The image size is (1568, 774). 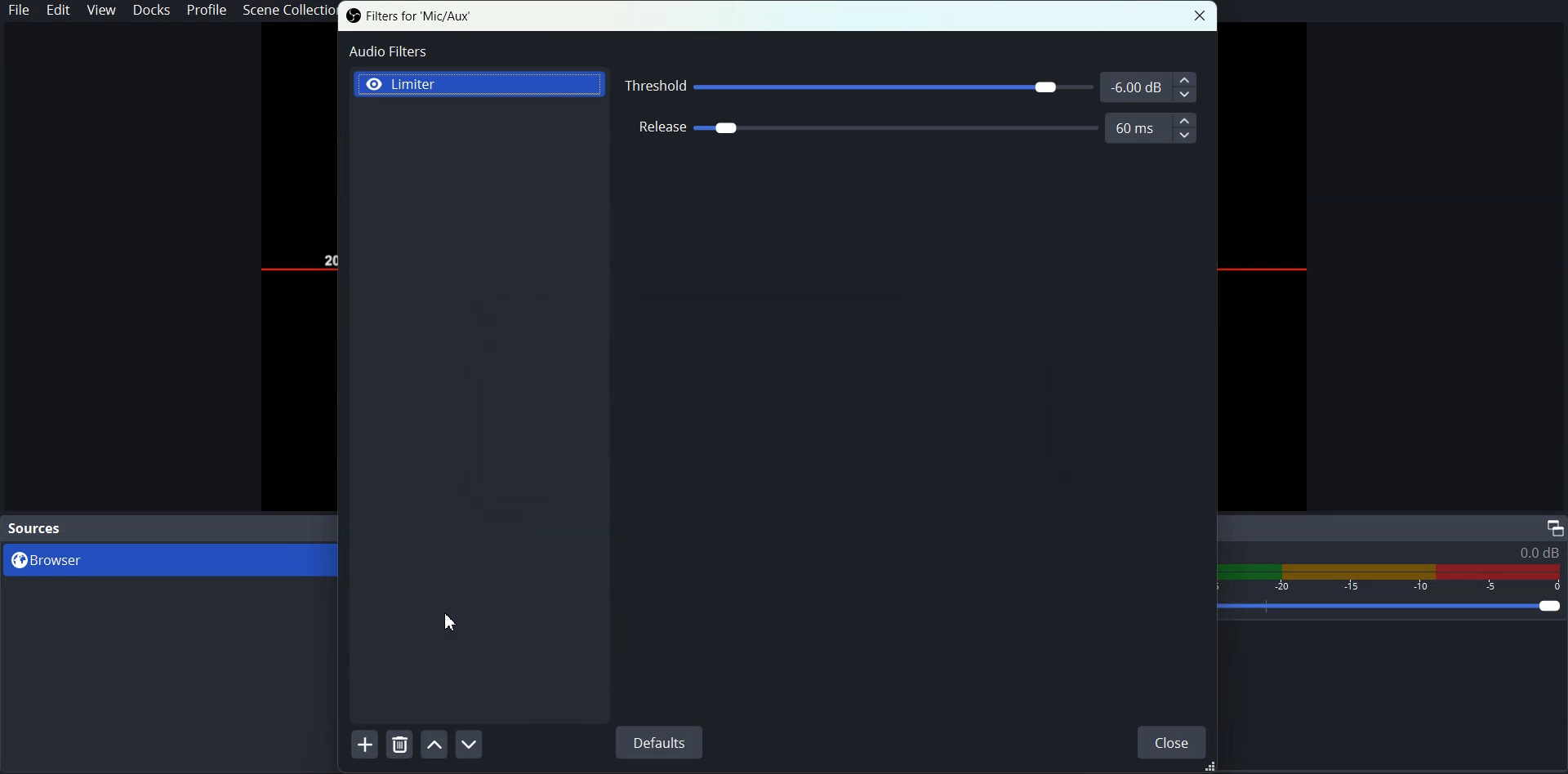 What do you see at coordinates (1539, 553) in the screenshot?
I see `0.0 db` at bounding box center [1539, 553].